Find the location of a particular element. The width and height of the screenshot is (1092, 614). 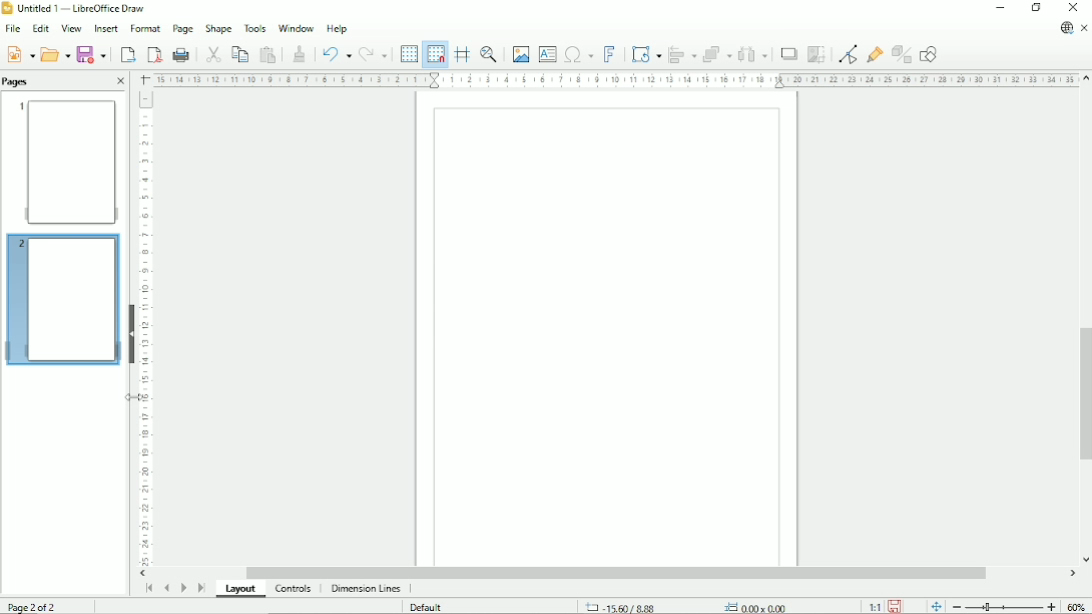

Pages is located at coordinates (18, 81).